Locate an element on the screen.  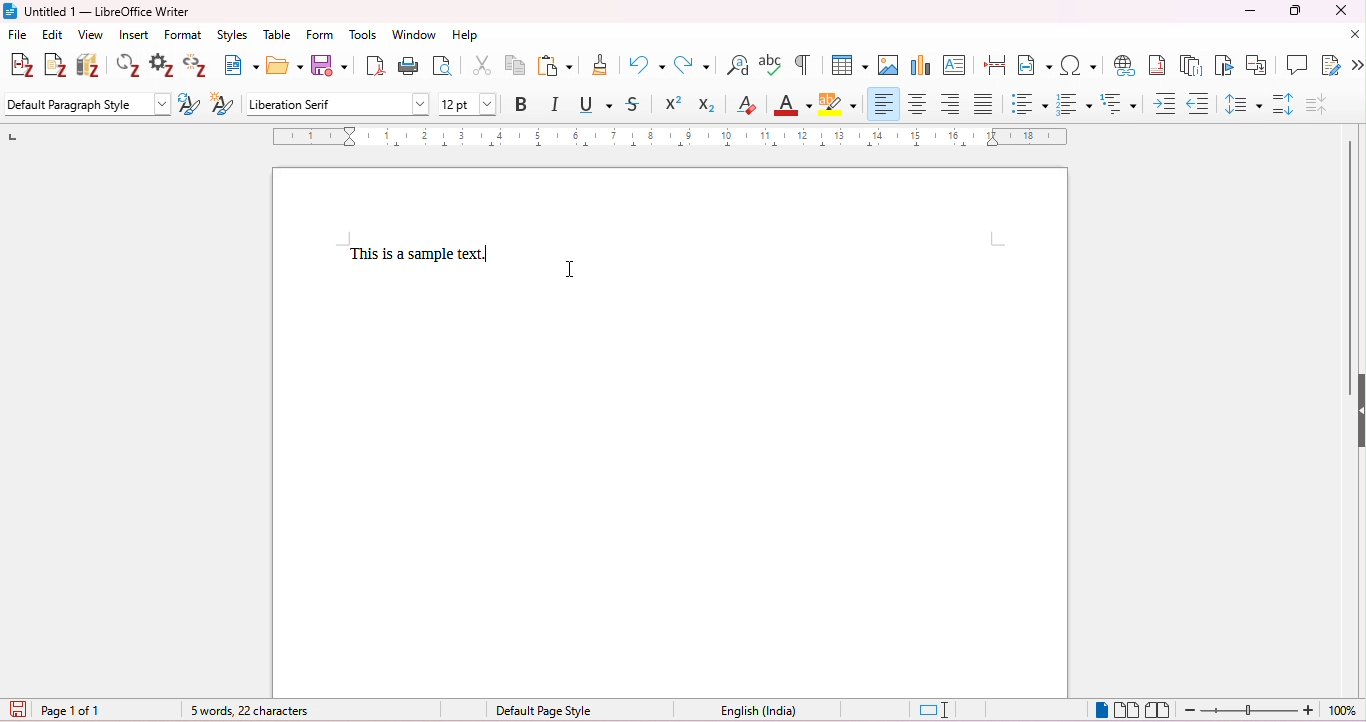
underline is located at coordinates (591, 104).